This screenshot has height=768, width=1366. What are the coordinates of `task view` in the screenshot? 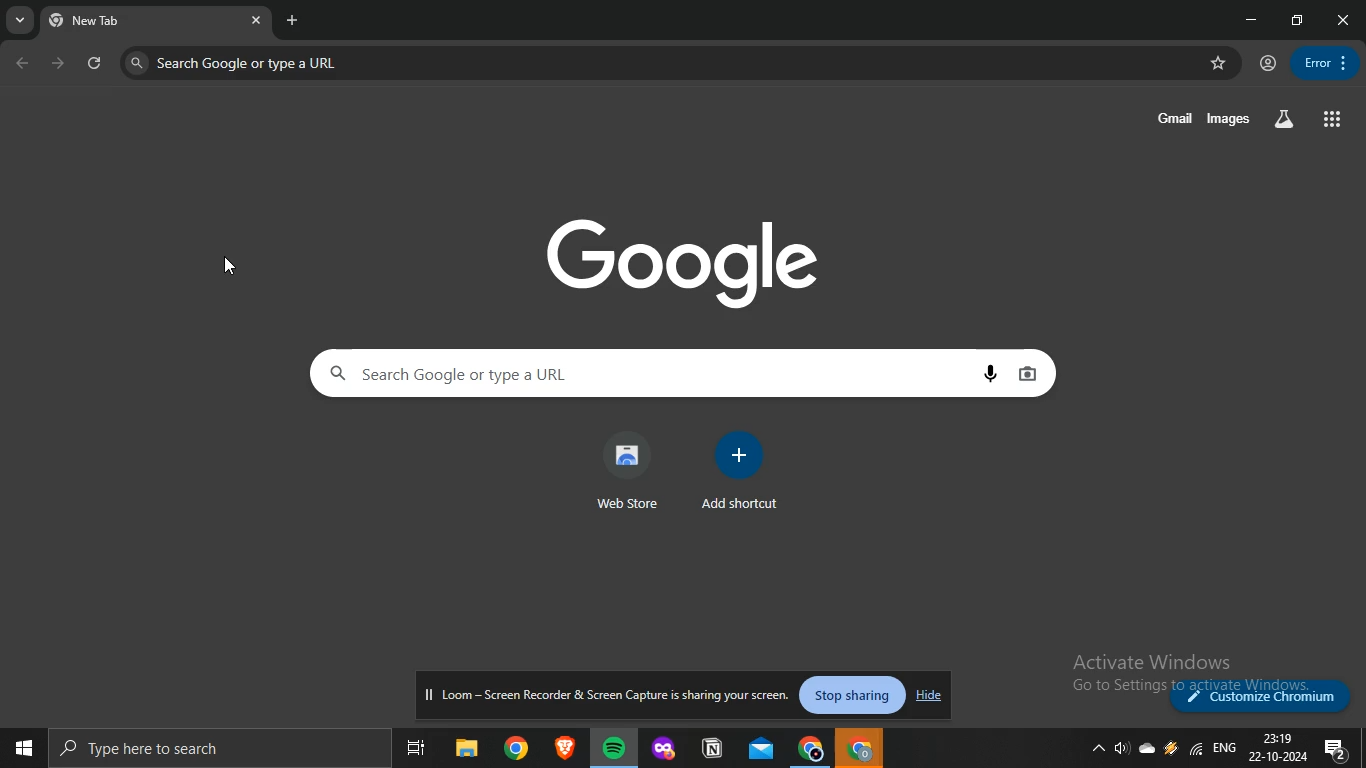 It's located at (418, 746).